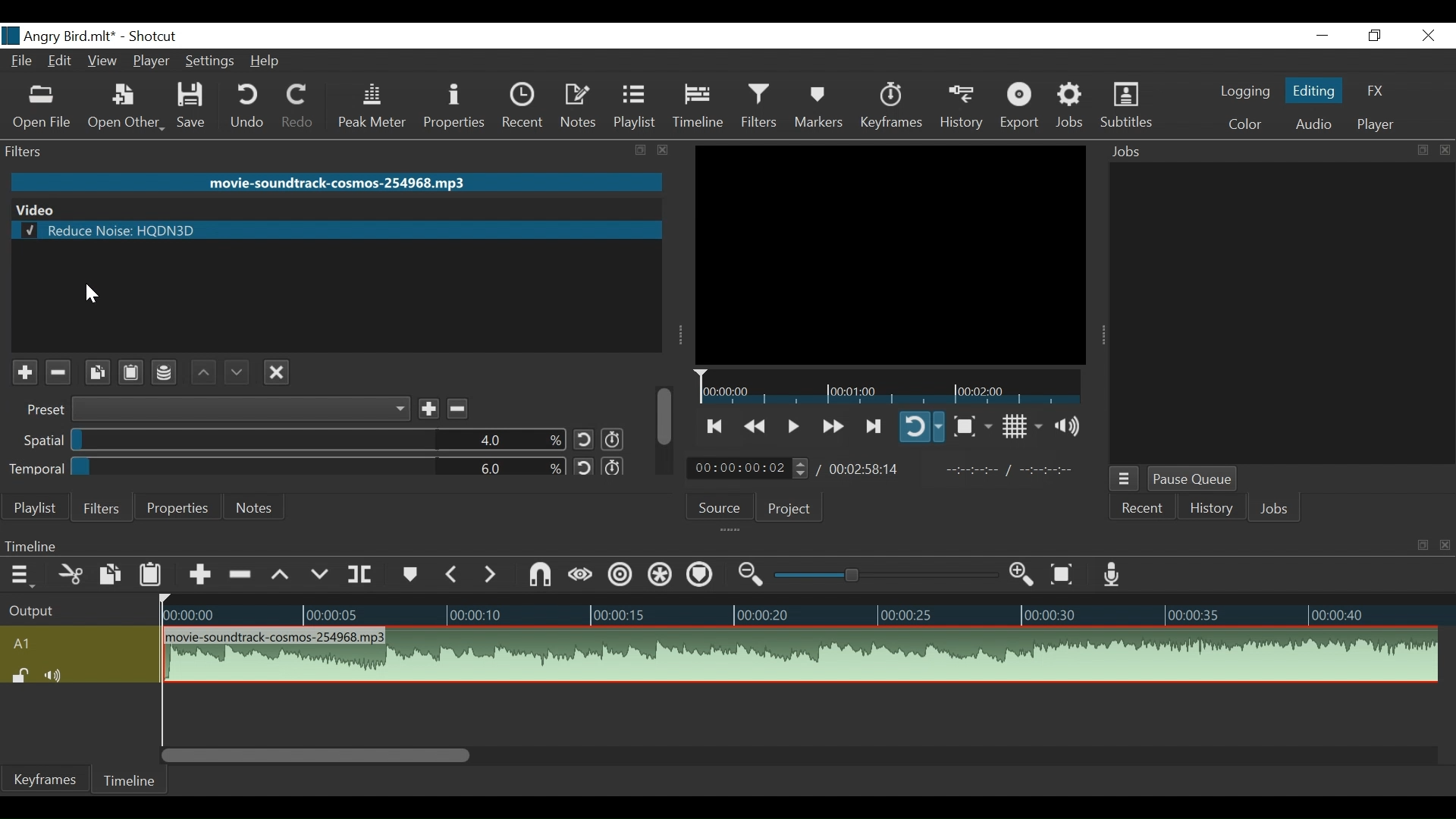 This screenshot has width=1456, height=819. I want to click on Audio, so click(1313, 124).